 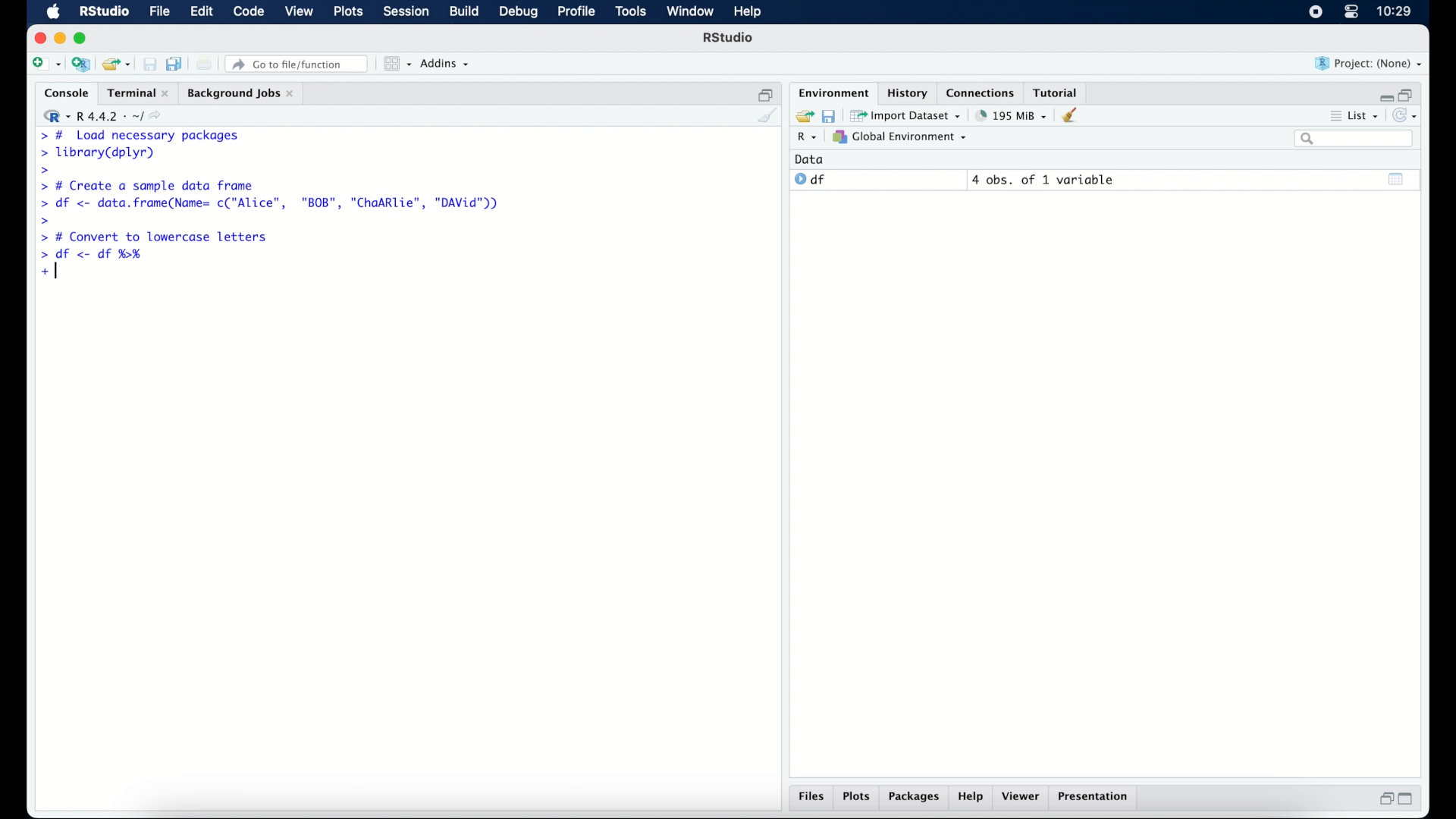 What do you see at coordinates (115, 64) in the screenshot?
I see `load existing project` at bounding box center [115, 64].